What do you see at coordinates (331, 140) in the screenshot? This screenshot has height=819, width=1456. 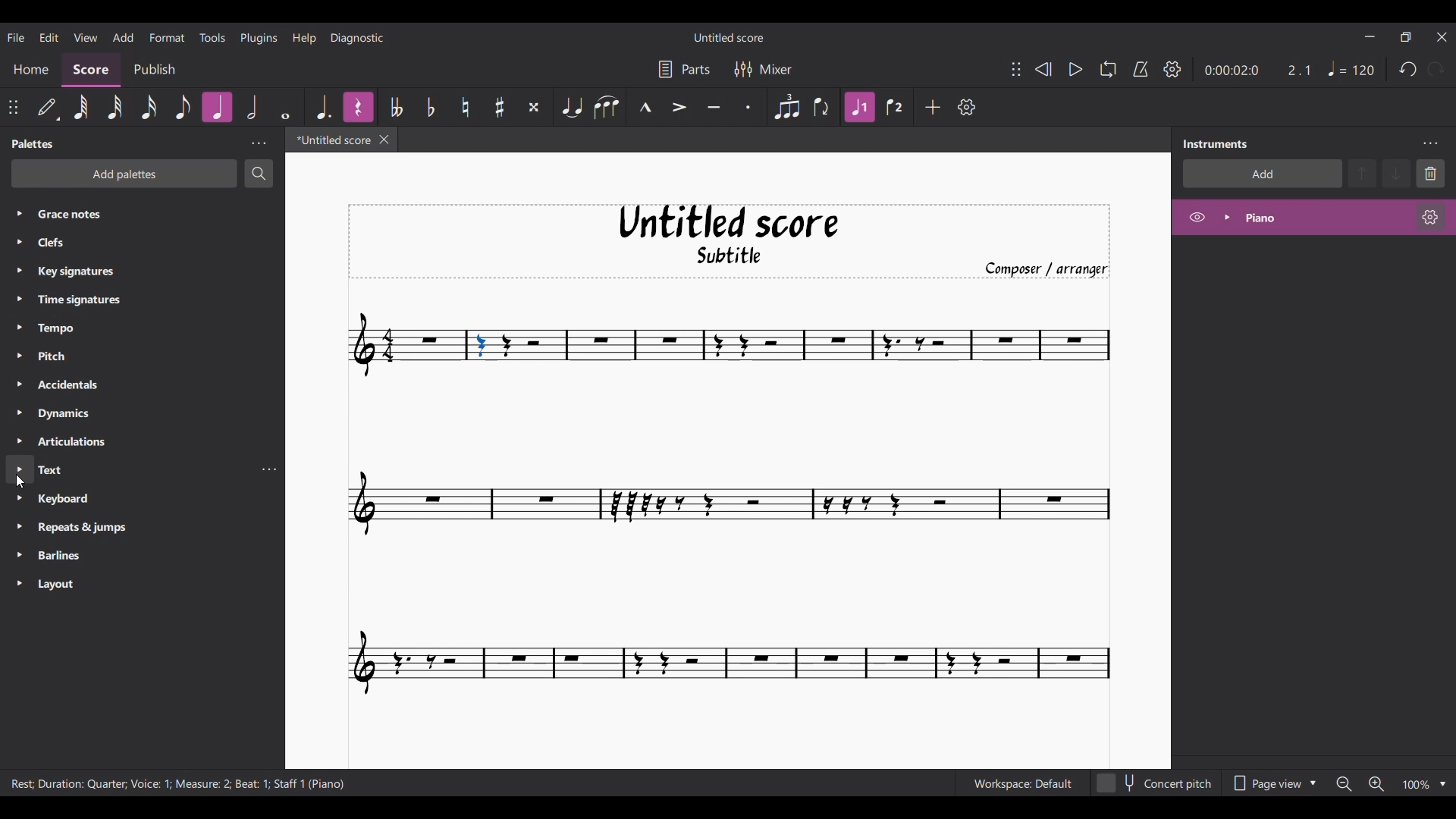 I see `Current tab` at bounding box center [331, 140].